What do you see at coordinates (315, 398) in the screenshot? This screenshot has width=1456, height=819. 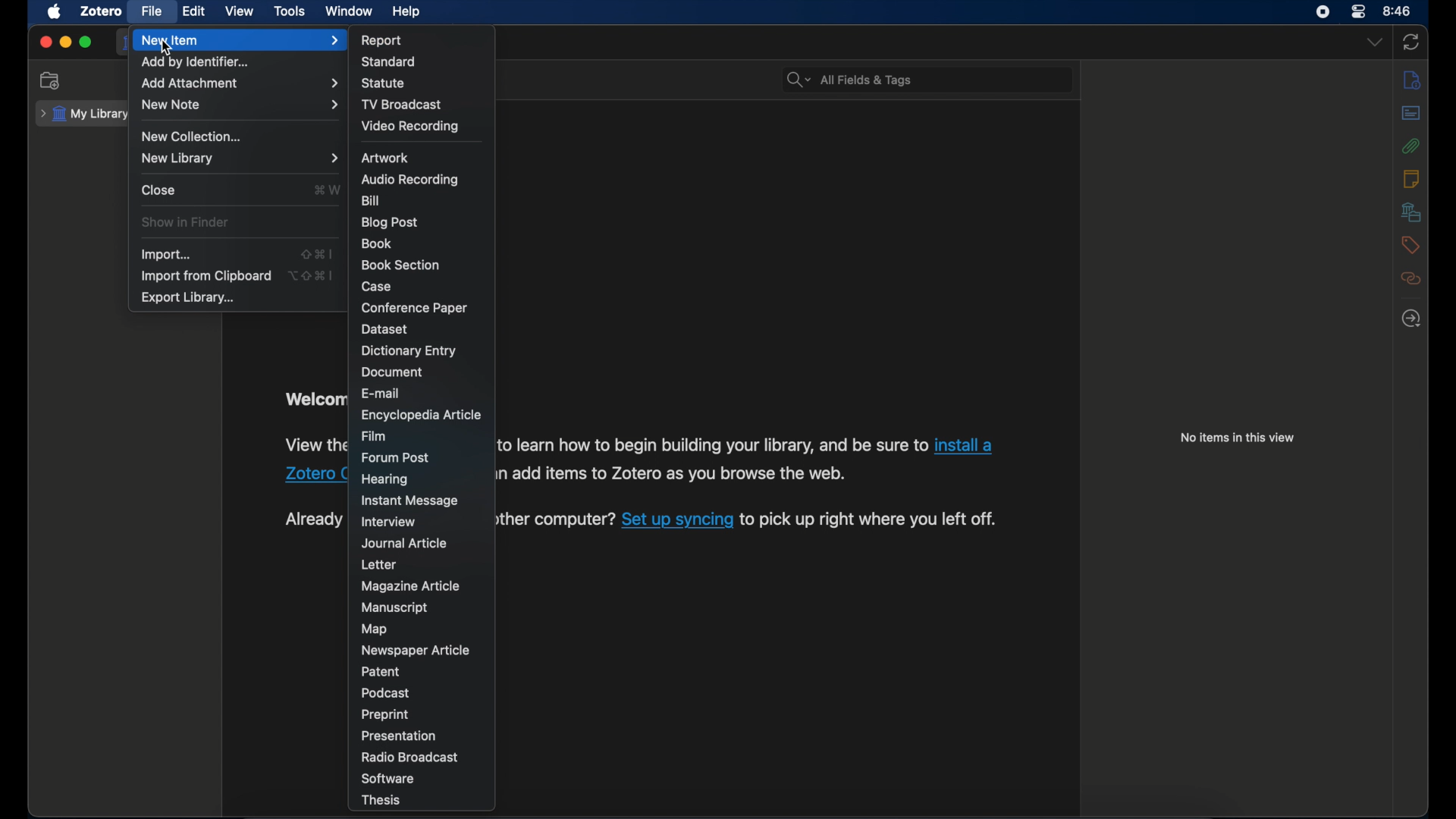 I see `welcome to zotero` at bounding box center [315, 398].